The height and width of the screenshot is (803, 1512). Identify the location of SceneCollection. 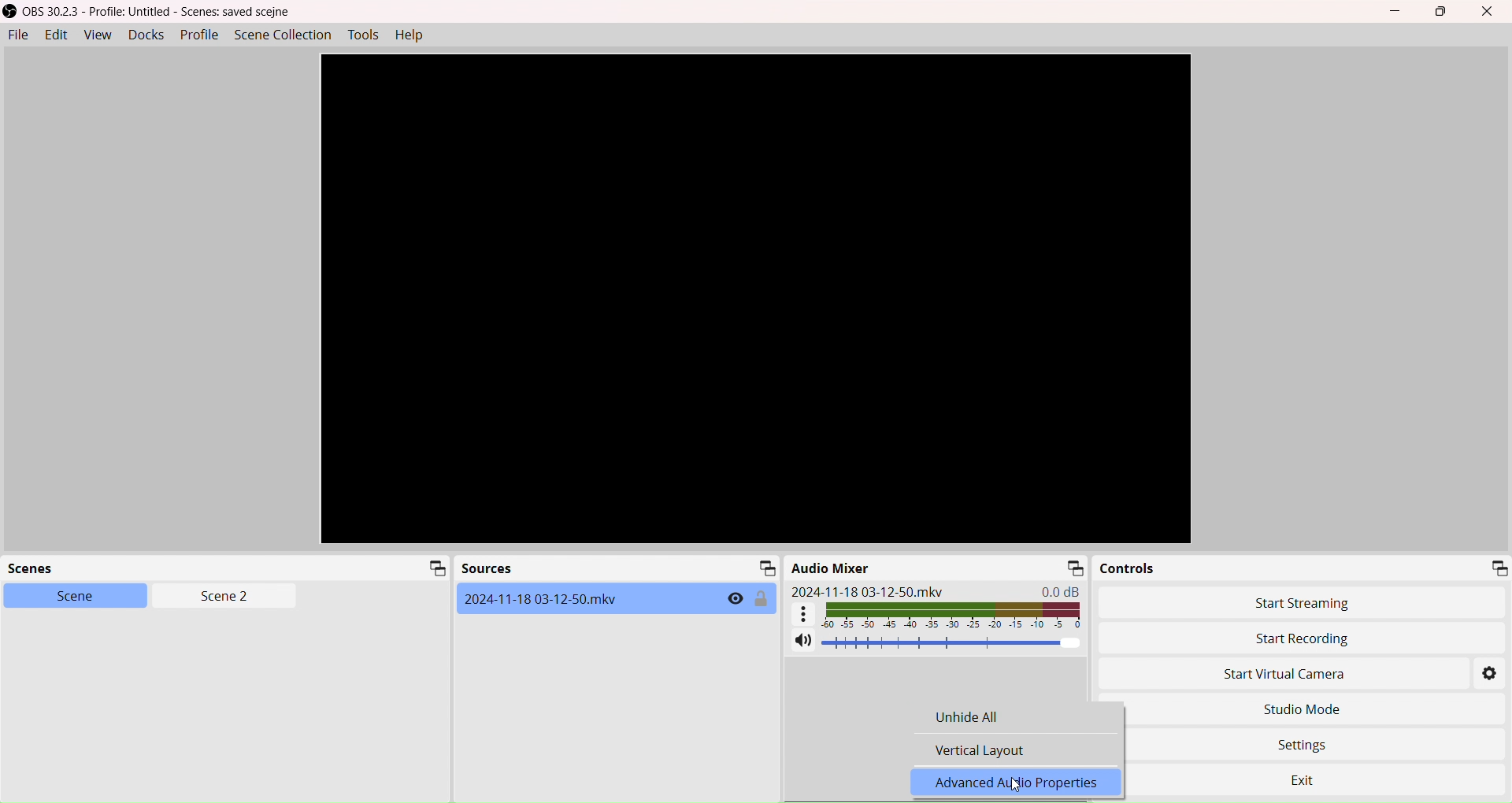
(285, 34).